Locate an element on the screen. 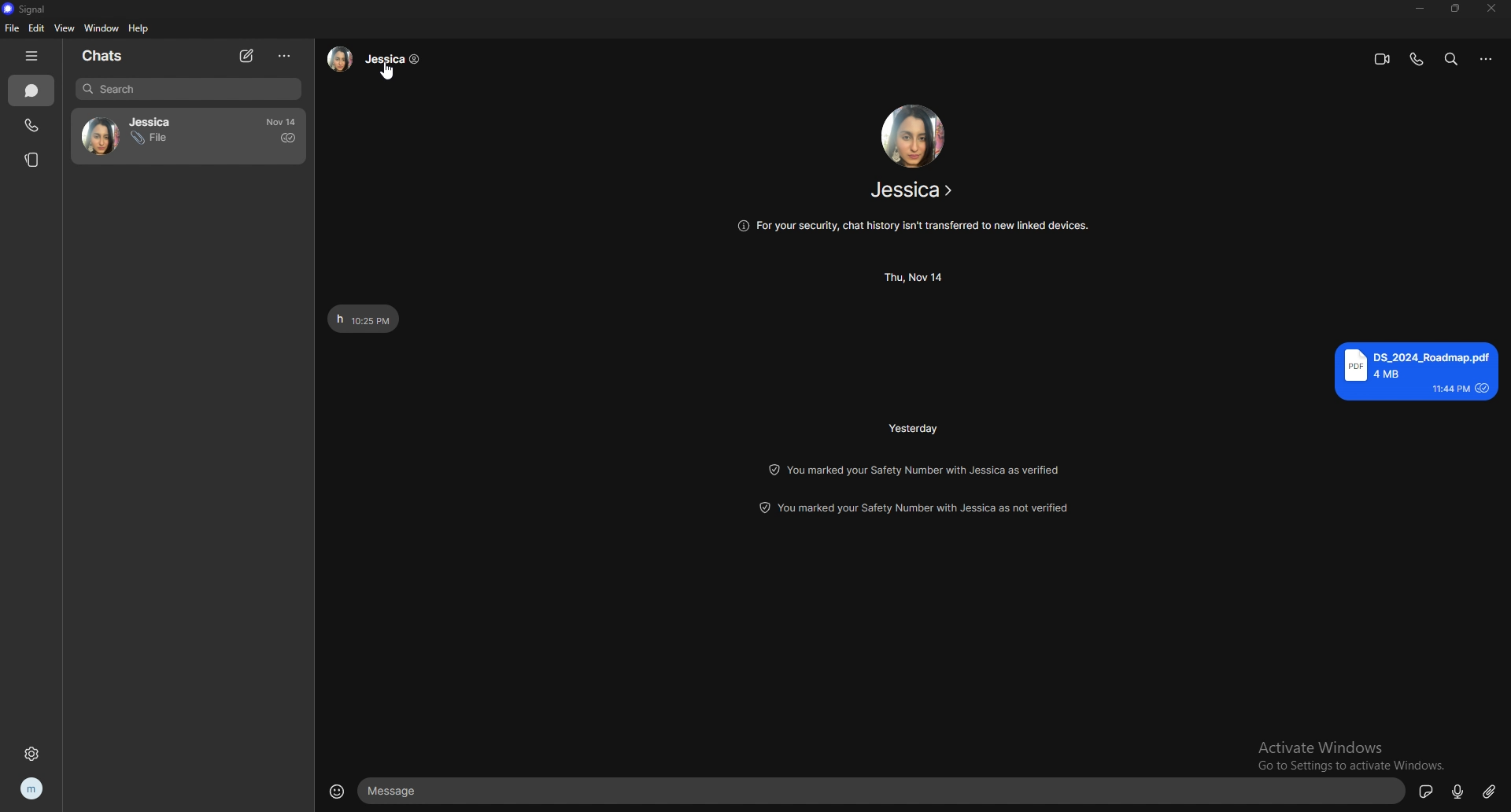 This screenshot has height=812, width=1511. update is located at coordinates (909, 505).